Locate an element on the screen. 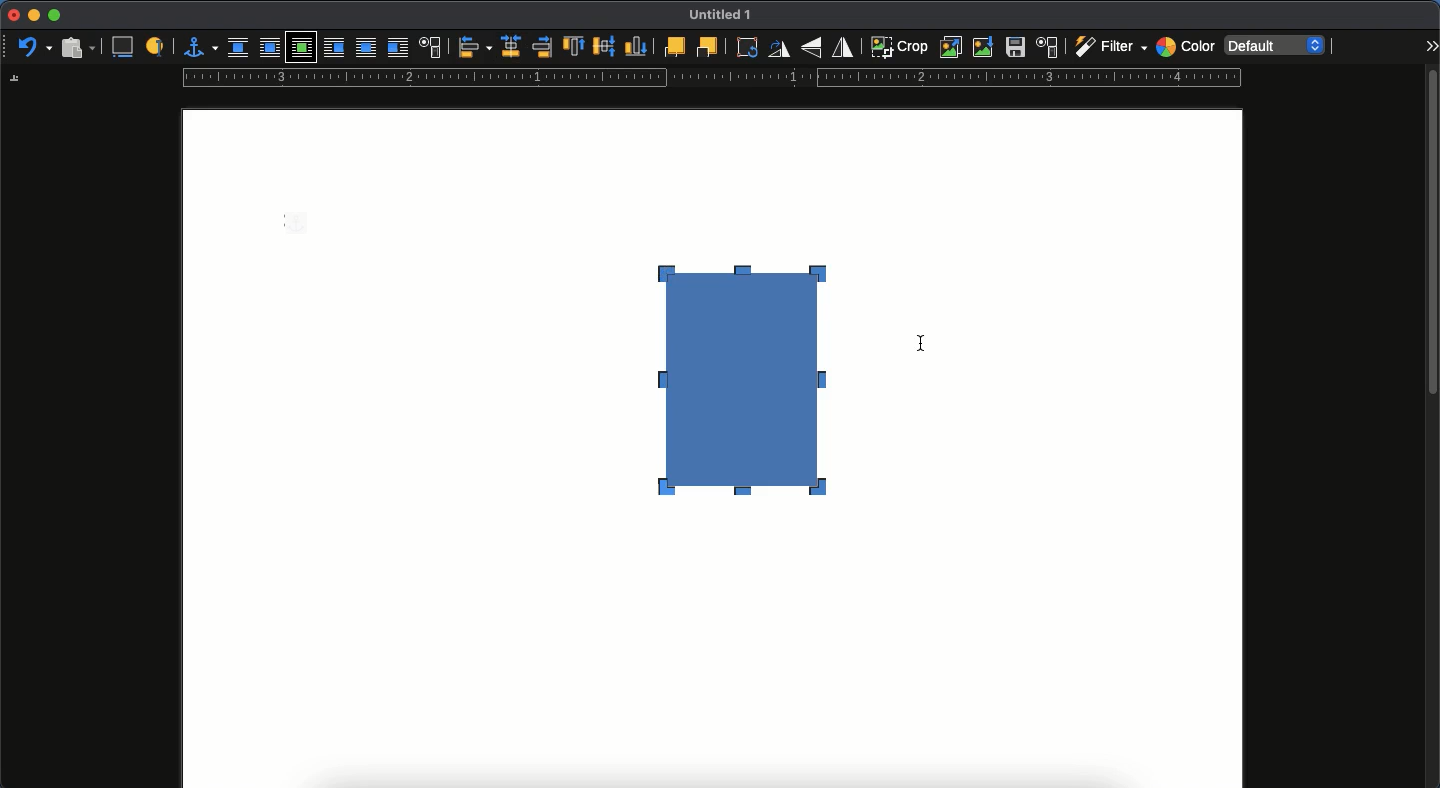  compress is located at coordinates (984, 47).